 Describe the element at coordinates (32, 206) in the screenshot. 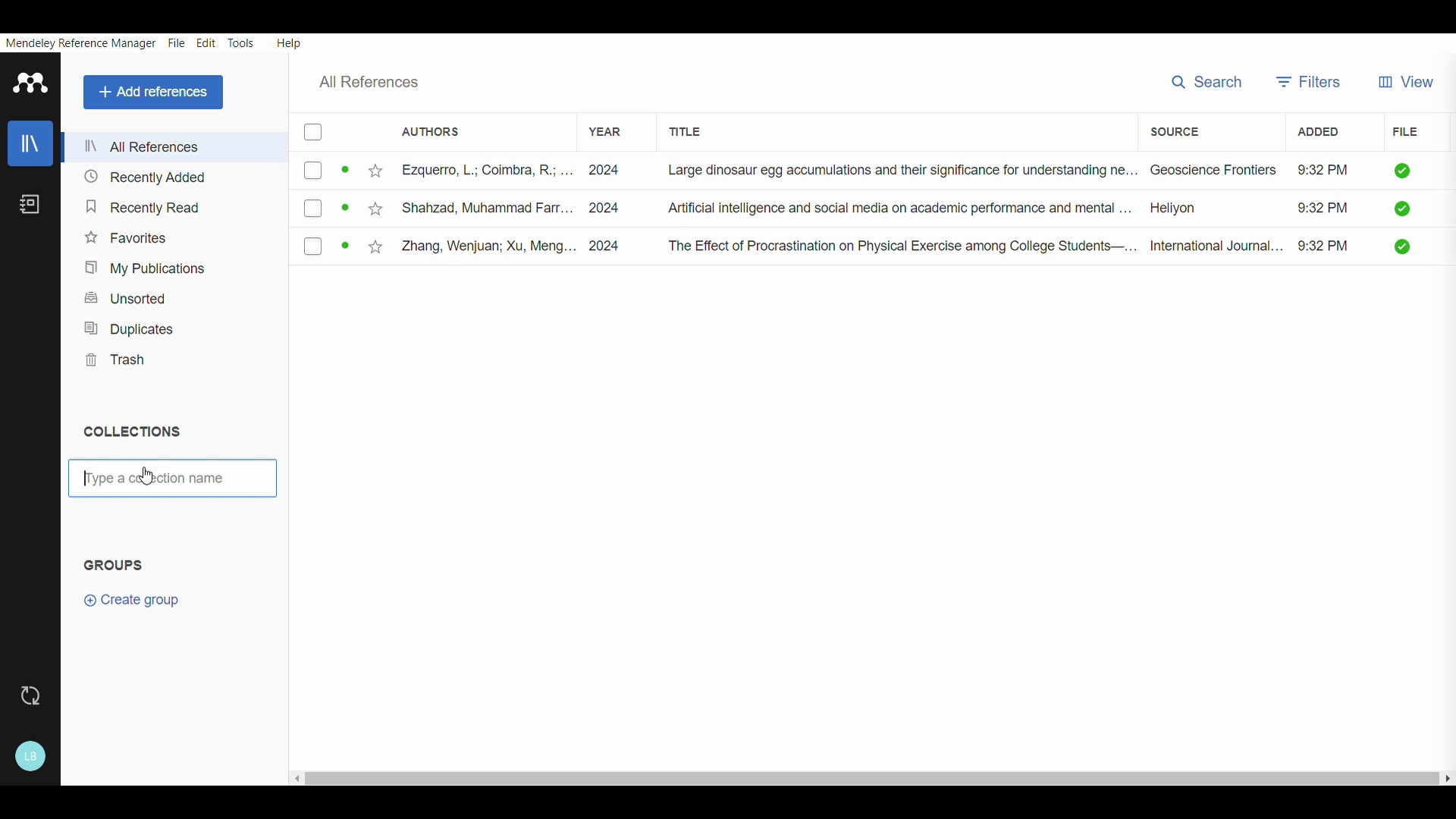

I see `Notebook` at that location.